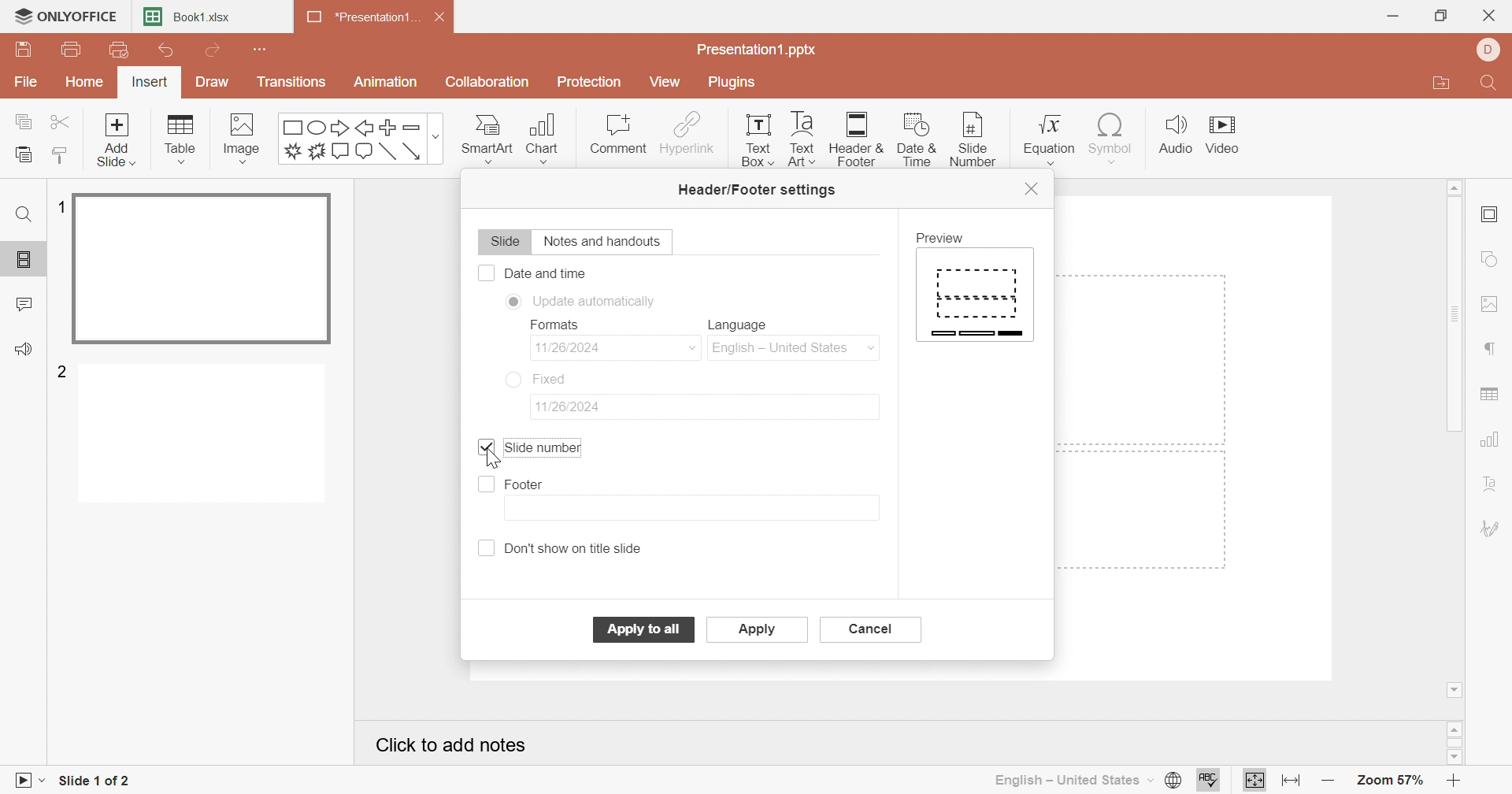 This screenshot has height=794, width=1512. What do you see at coordinates (1493, 216) in the screenshot?
I see `Slide settings` at bounding box center [1493, 216].